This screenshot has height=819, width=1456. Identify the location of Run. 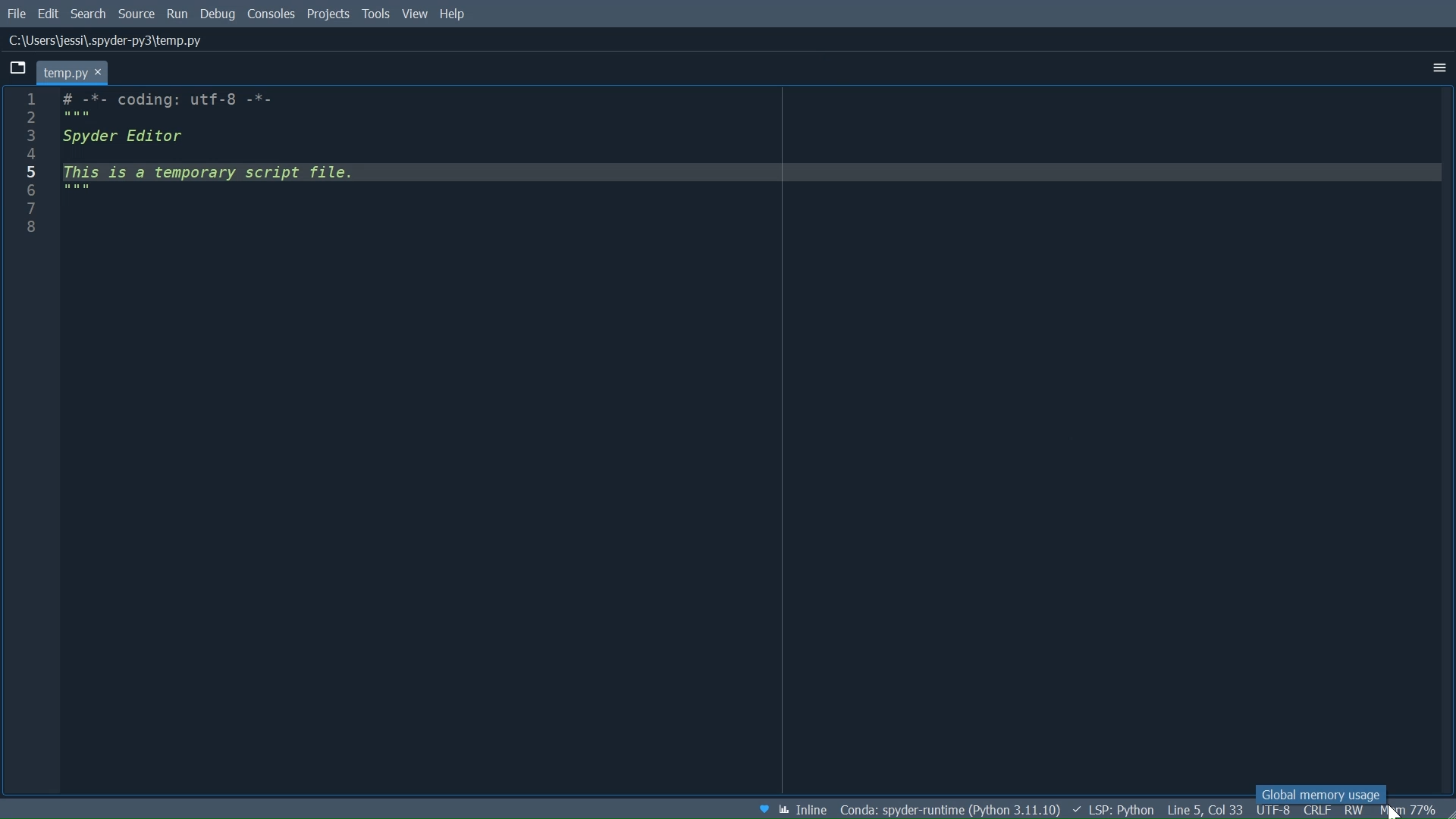
(178, 15).